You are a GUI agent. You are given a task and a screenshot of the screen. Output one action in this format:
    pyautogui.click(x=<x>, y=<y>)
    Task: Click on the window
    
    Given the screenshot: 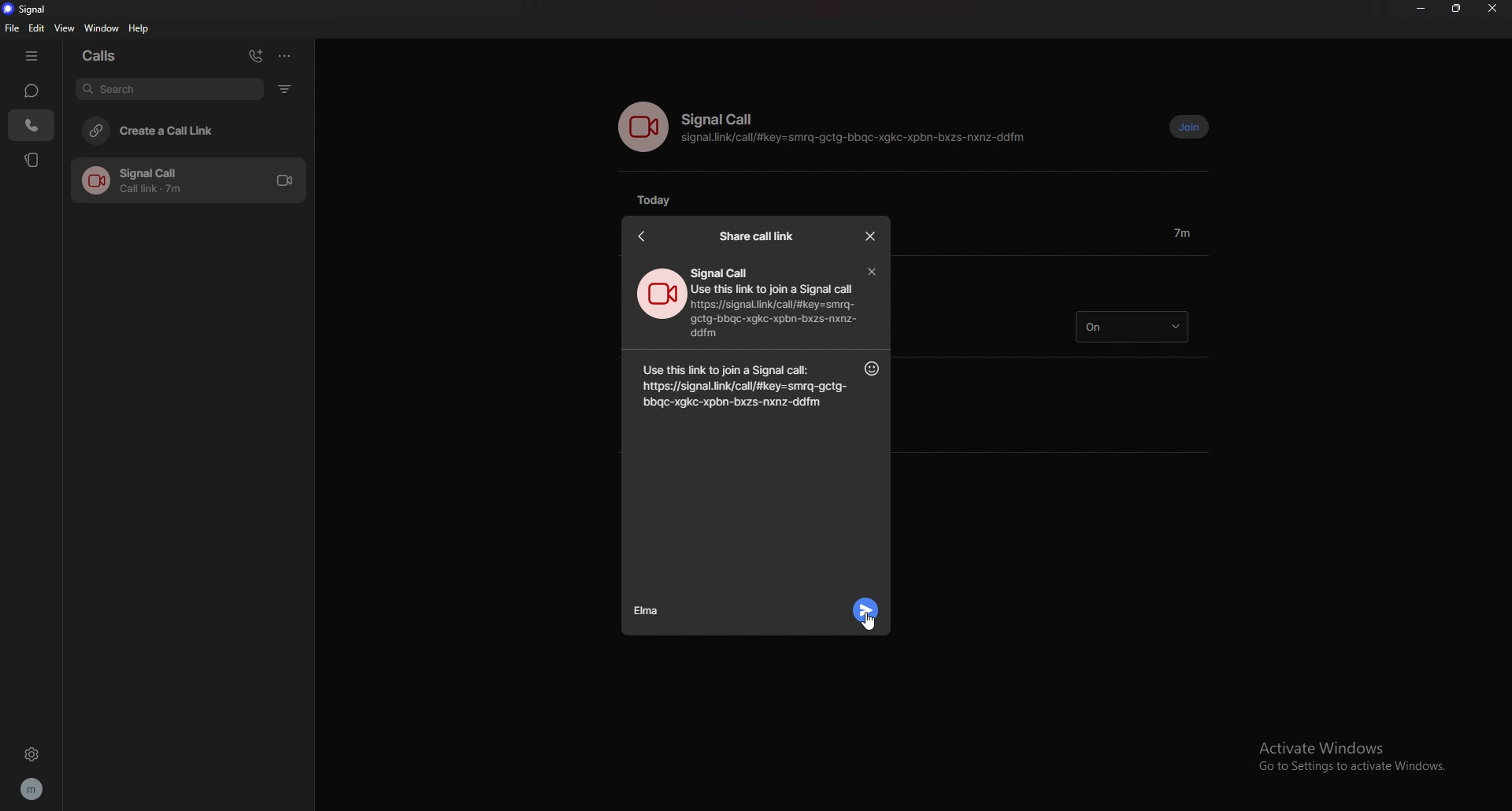 What is the action you would take?
    pyautogui.click(x=102, y=28)
    